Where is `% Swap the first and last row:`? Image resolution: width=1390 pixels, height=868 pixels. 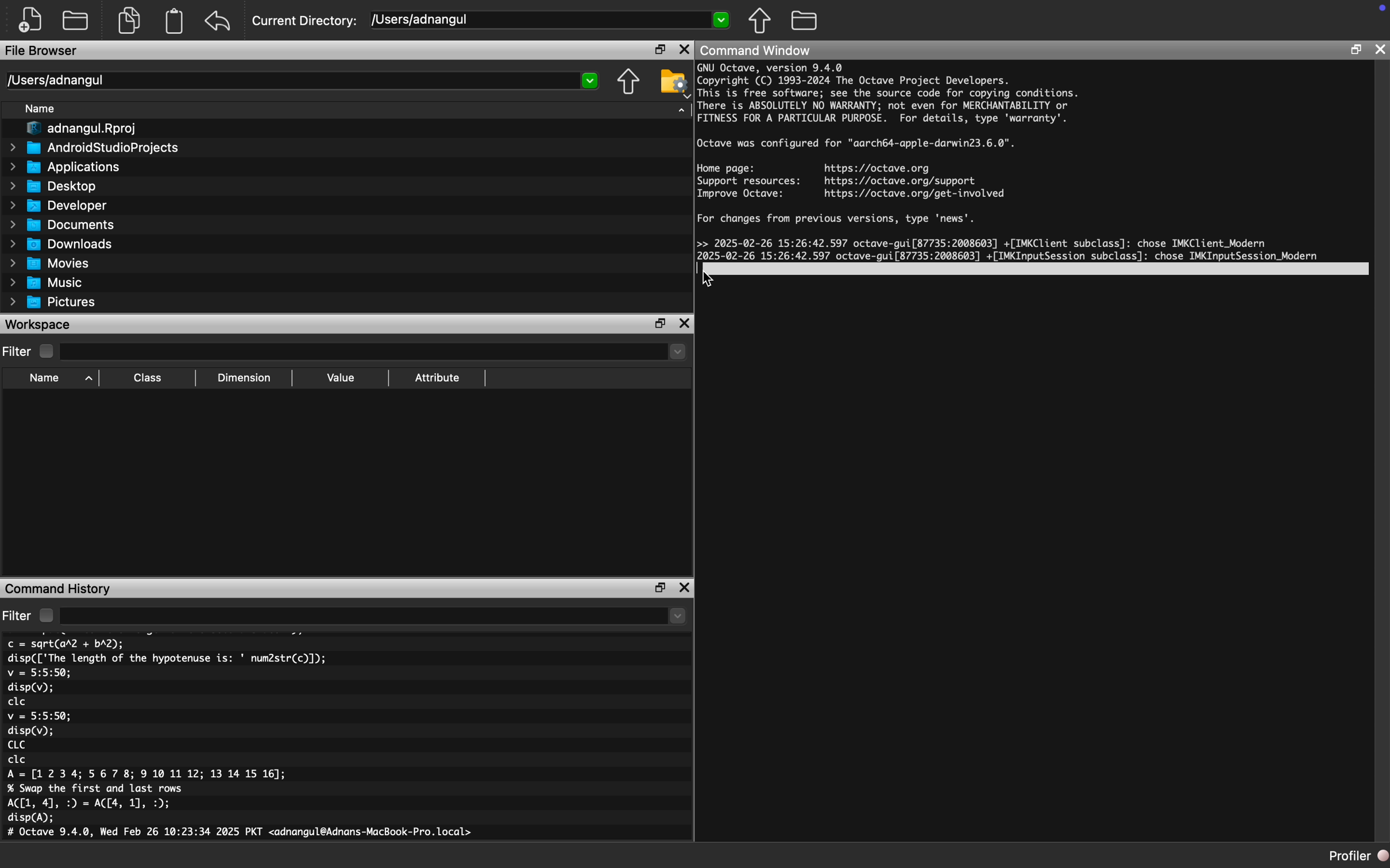 % Swap the first and last row: is located at coordinates (96, 789).